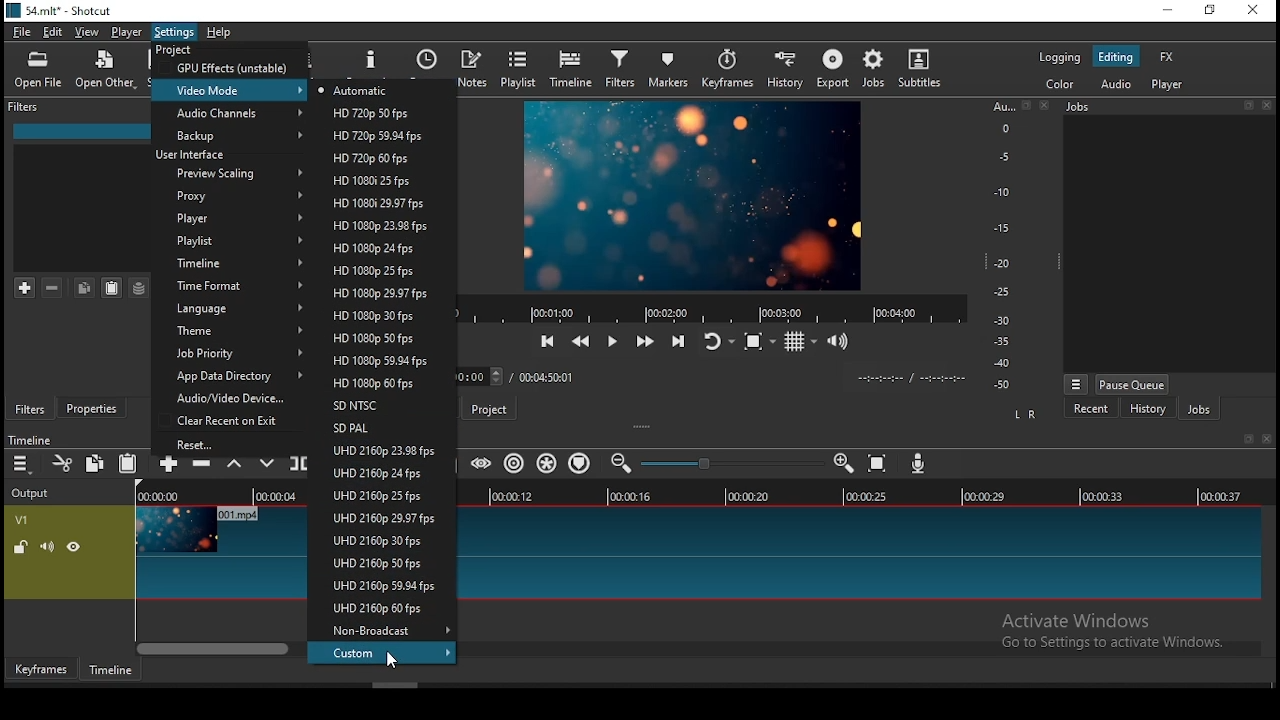  I want to click on resolution option, so click(379, 609).